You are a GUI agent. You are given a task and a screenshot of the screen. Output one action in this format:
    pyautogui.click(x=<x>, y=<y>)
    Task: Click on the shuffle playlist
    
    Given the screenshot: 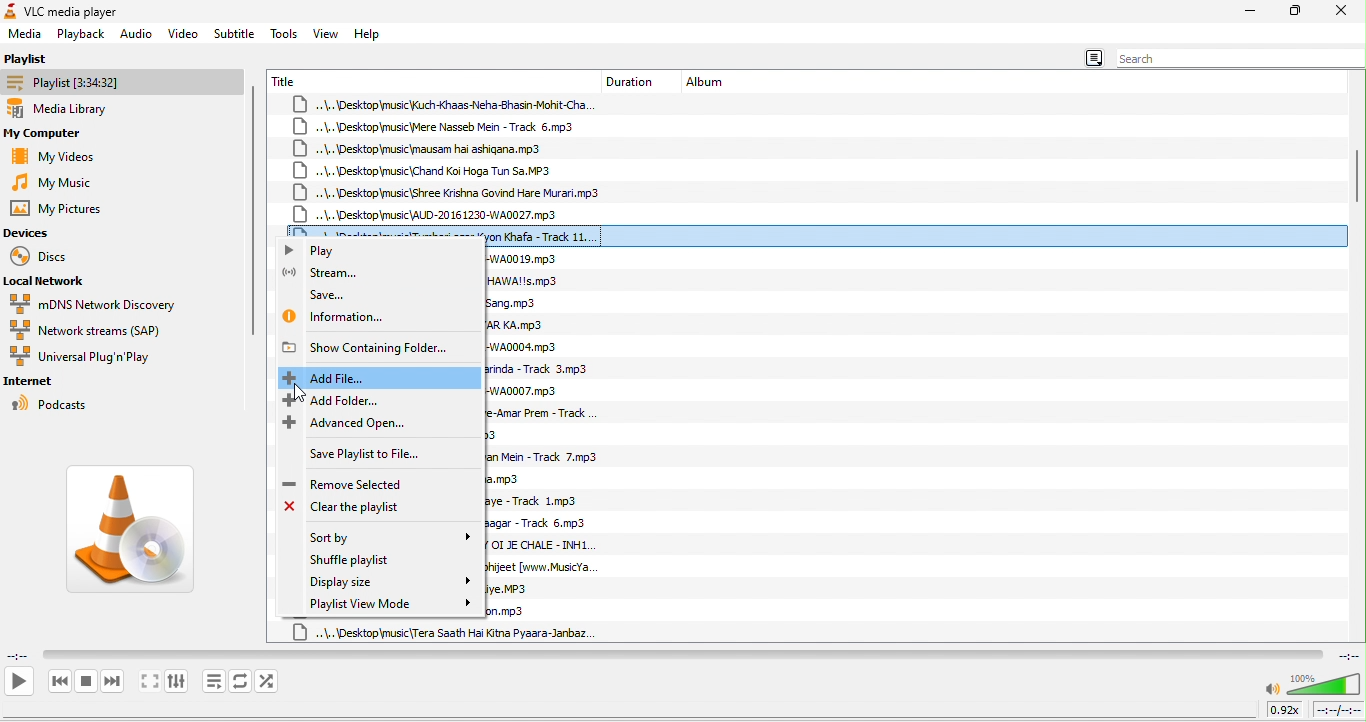 What is the action you would take?
    pyautogui.click(x=391, y=561)
    